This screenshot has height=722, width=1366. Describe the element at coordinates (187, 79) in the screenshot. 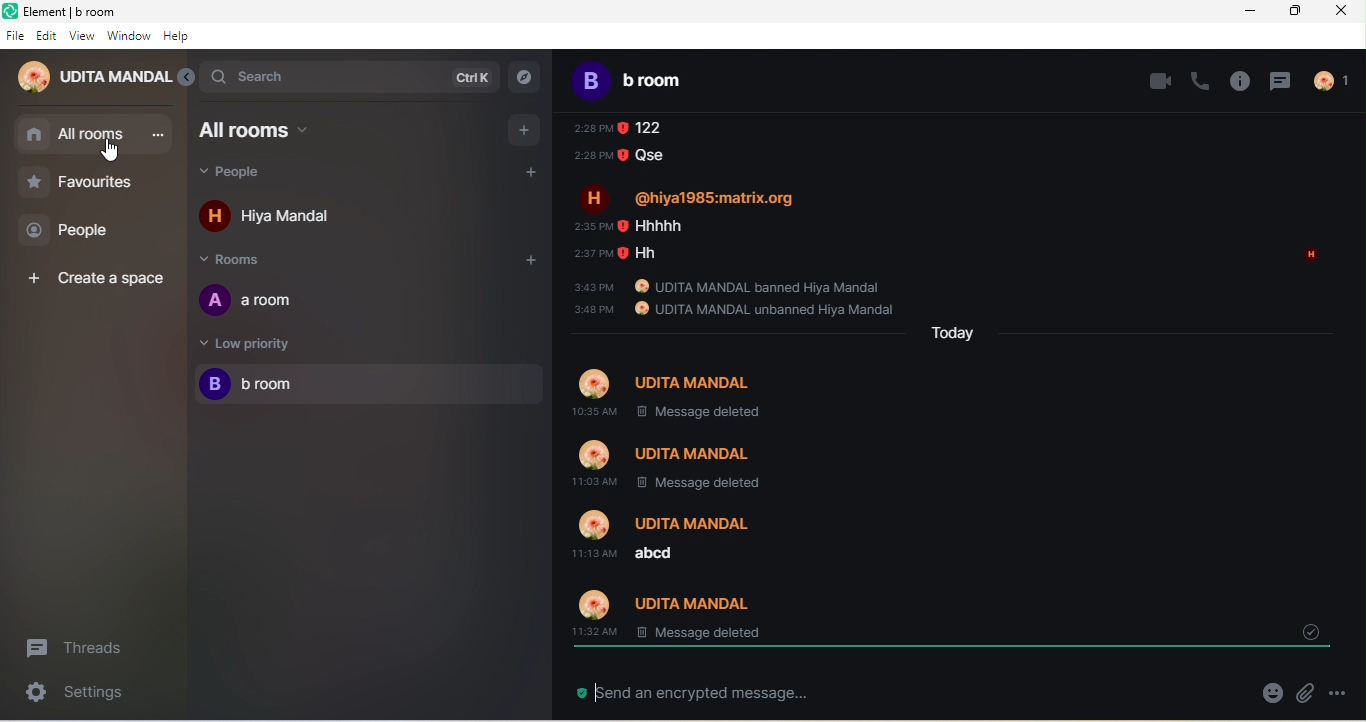

I see `expand` at that location.